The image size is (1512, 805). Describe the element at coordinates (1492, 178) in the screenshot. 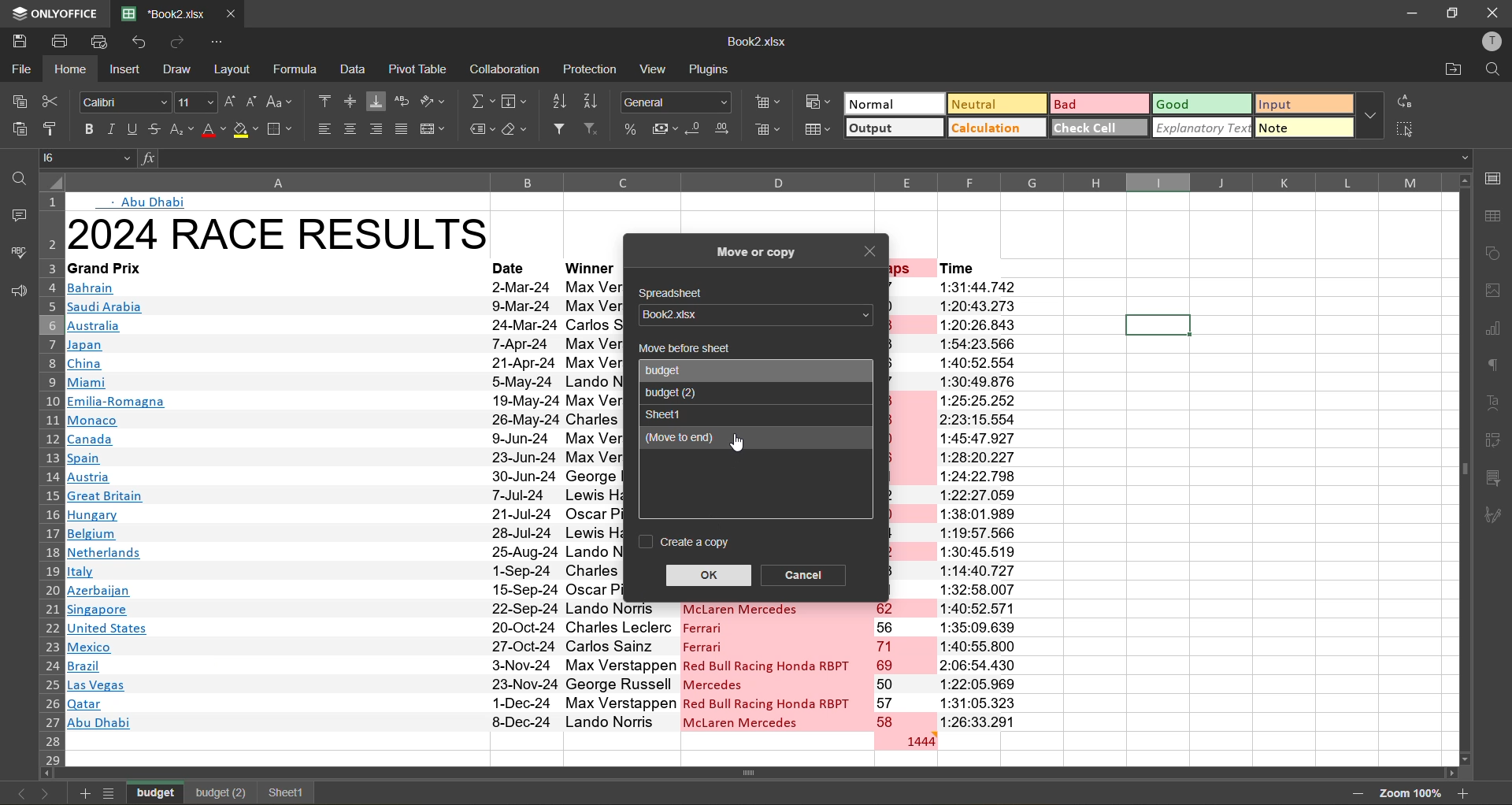

I see `call settings` at that location.